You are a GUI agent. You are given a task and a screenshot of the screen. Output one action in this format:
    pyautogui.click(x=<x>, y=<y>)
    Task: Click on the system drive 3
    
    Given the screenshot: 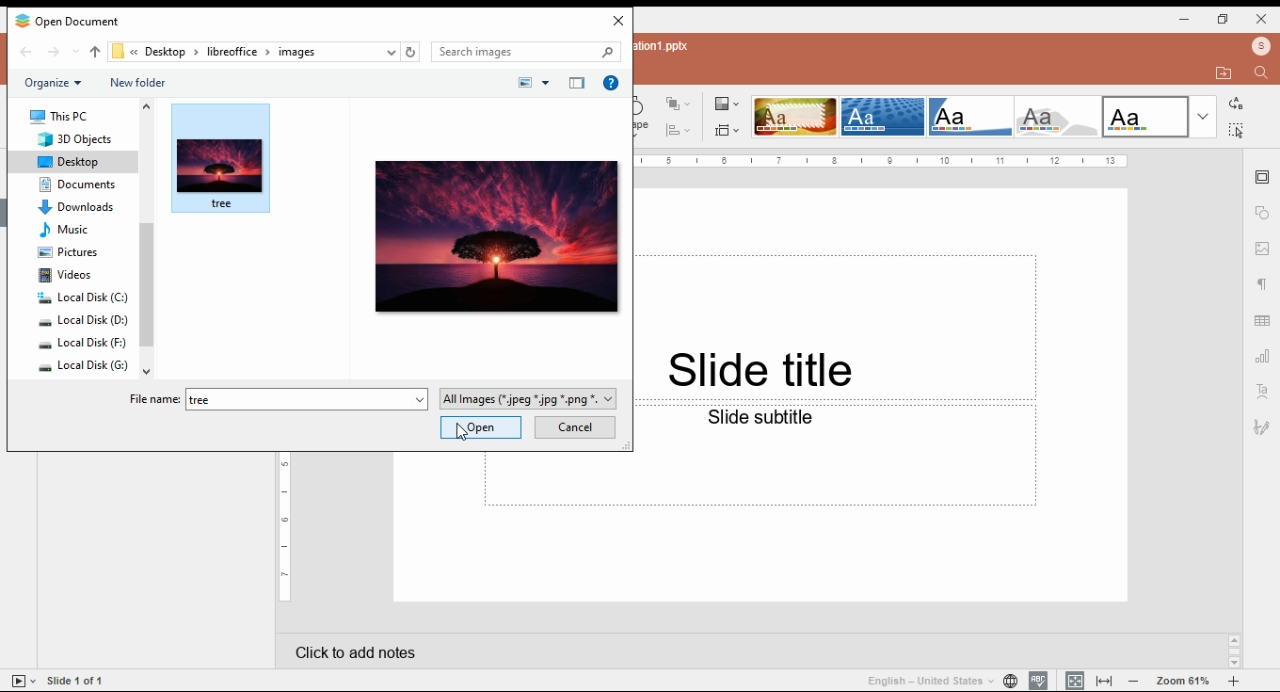 What is the action you would take?
    pyautogui.click(x=84, y=344)
    